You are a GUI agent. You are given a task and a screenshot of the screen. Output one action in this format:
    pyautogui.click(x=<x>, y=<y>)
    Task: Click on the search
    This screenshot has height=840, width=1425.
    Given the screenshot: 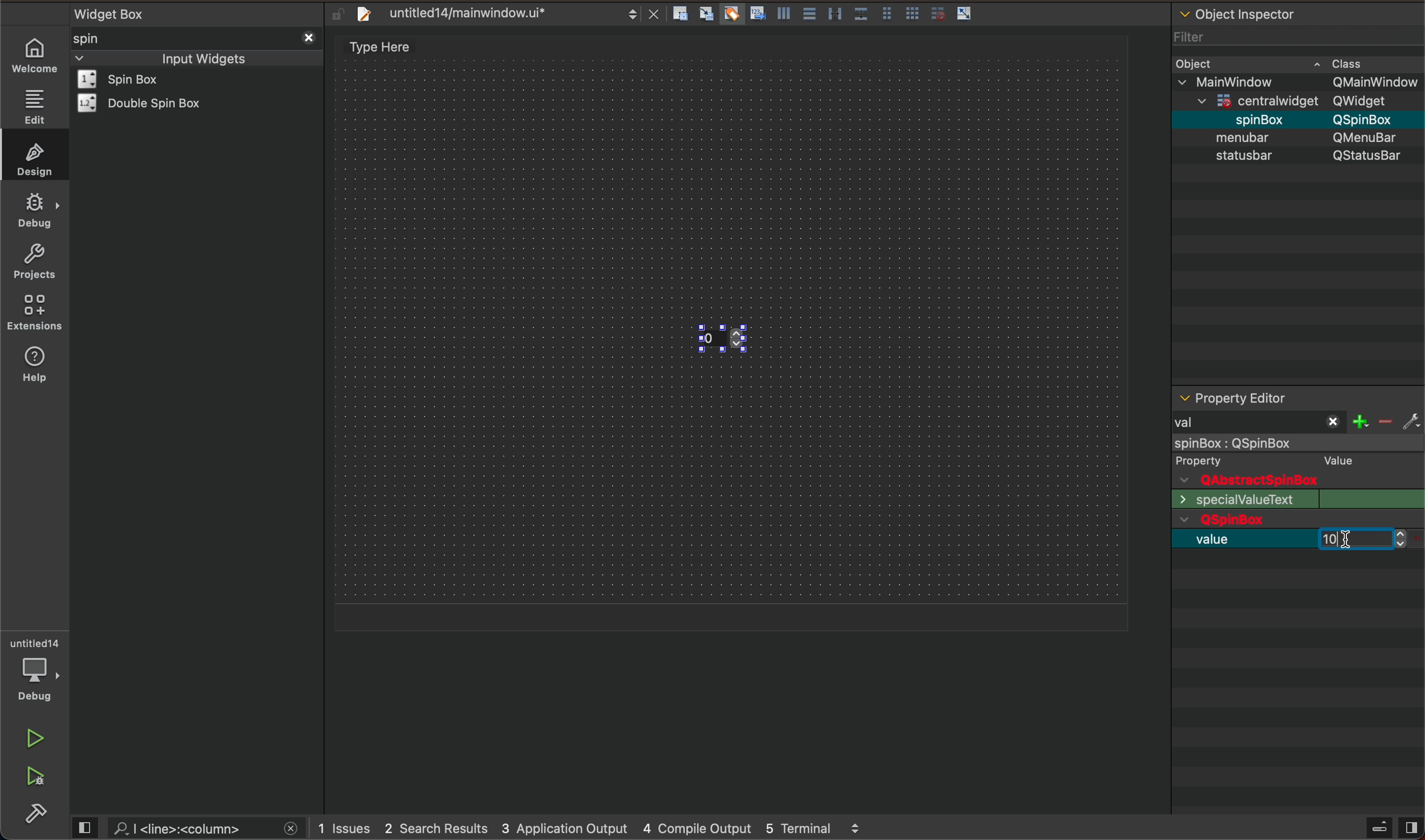 What is the action you would take?
    pyautogui.click(x=191, y=828)
    